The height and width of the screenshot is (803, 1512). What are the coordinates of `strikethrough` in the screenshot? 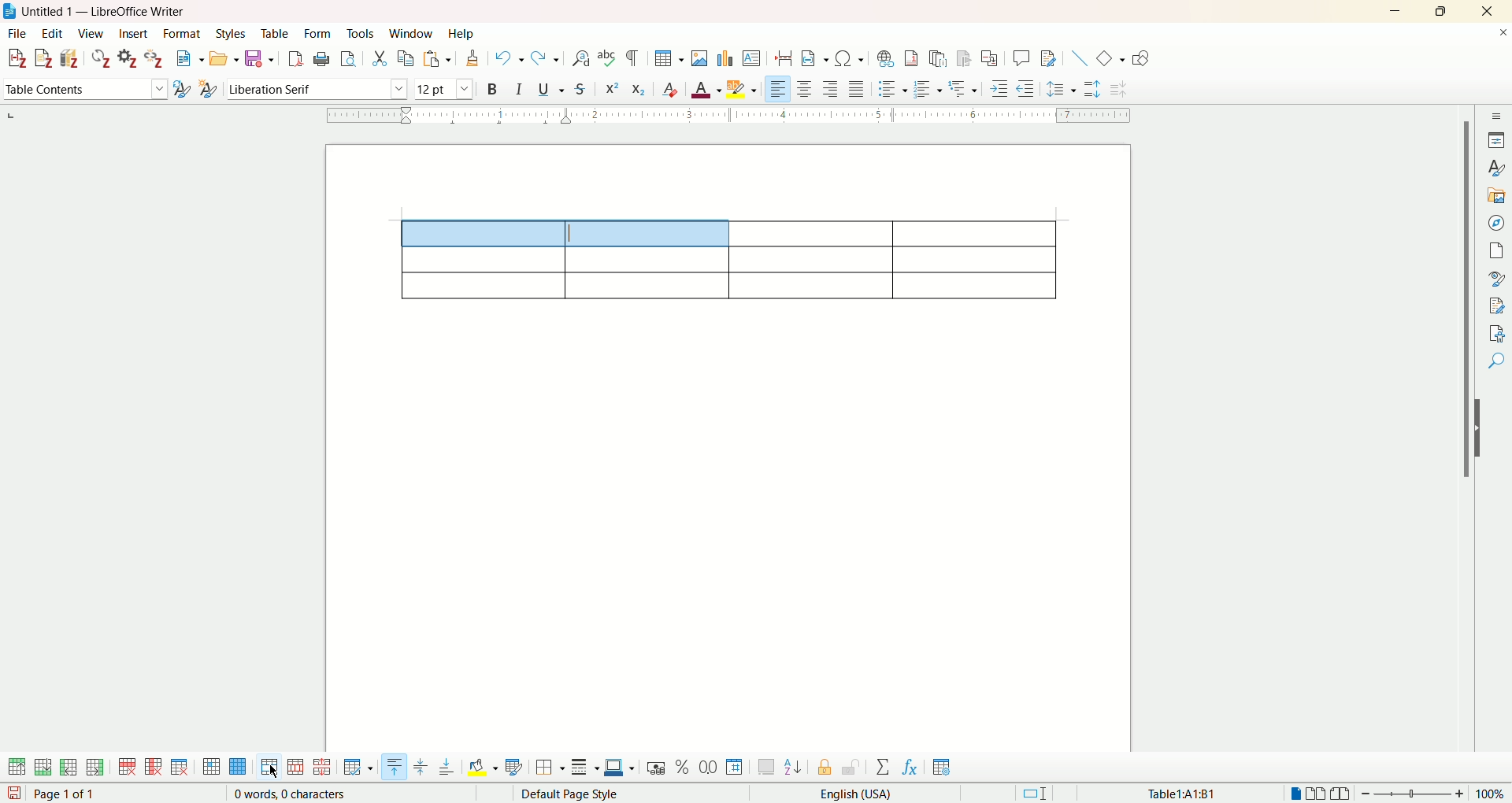 It's located at (581, 89).